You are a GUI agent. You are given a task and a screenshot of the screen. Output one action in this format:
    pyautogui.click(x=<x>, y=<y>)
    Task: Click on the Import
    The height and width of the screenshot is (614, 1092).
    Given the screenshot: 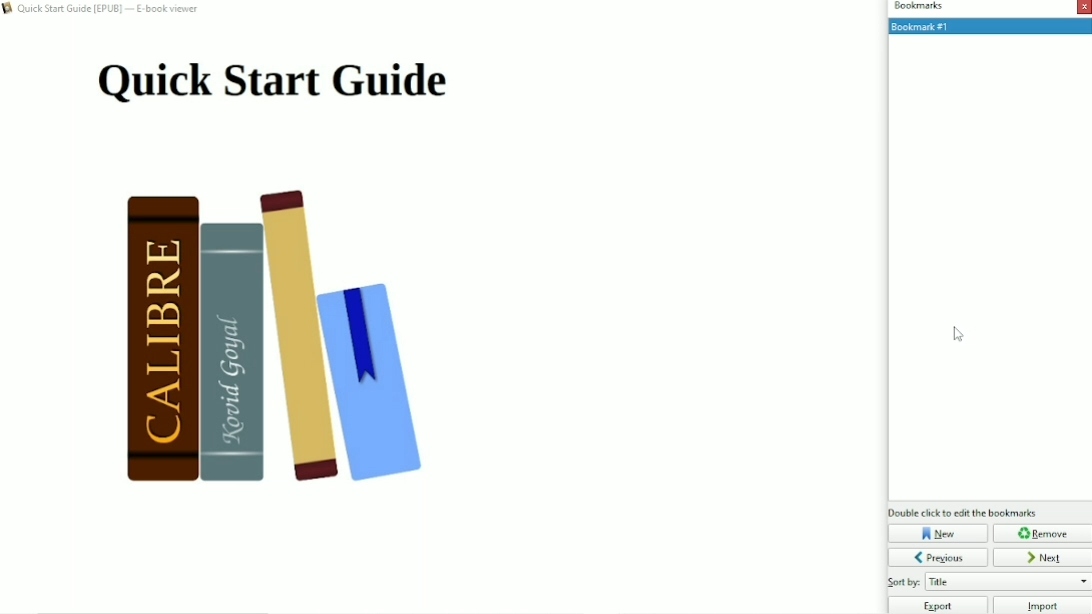 What is the action you would take?
    pyautogui.click(x=1043, y=605)
    